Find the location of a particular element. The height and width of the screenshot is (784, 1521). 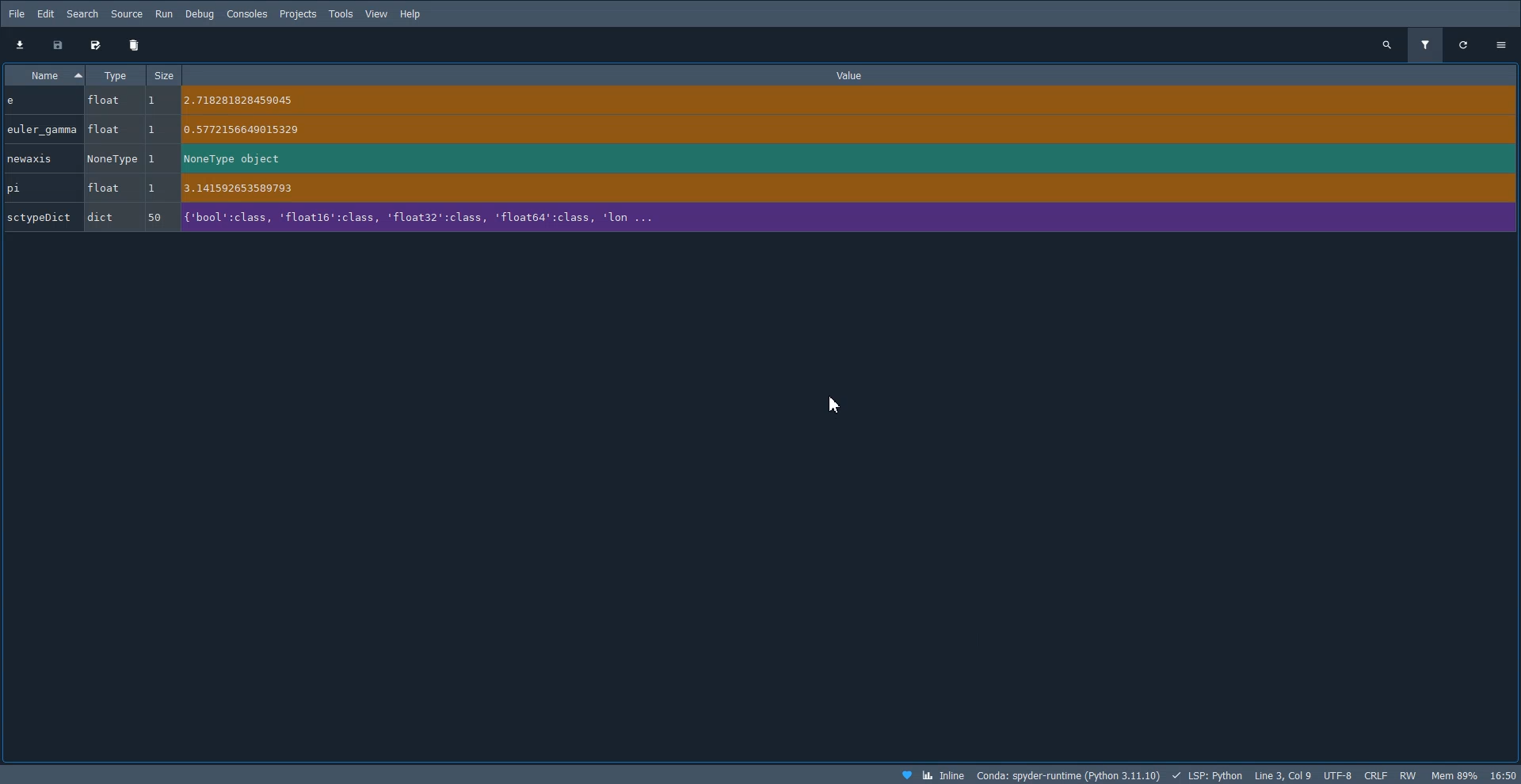

Support  is located at coordinates (906, 774).